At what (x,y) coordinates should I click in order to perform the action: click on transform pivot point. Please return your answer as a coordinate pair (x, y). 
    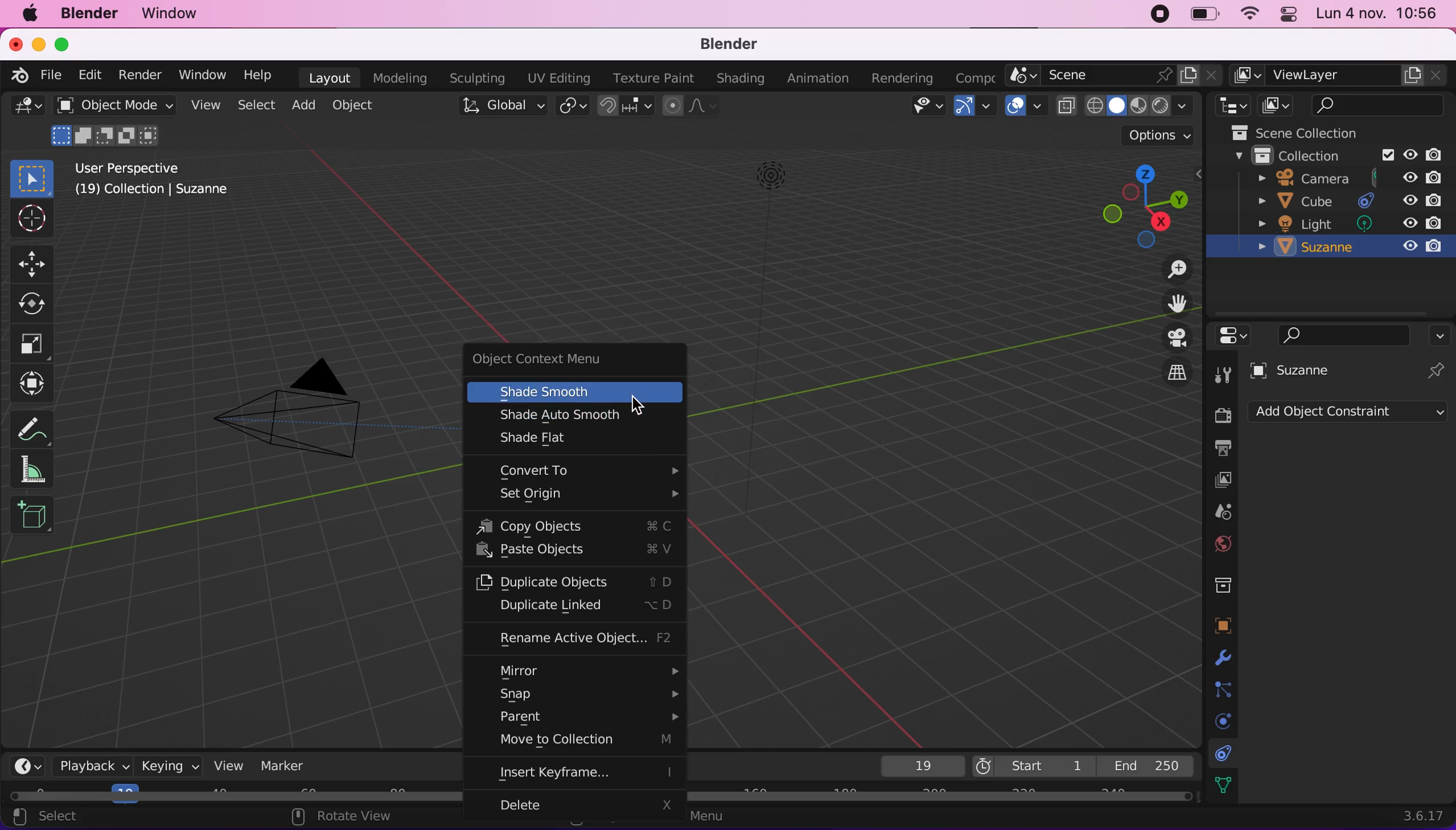
    Looking at the image, I should click on (570, 105).